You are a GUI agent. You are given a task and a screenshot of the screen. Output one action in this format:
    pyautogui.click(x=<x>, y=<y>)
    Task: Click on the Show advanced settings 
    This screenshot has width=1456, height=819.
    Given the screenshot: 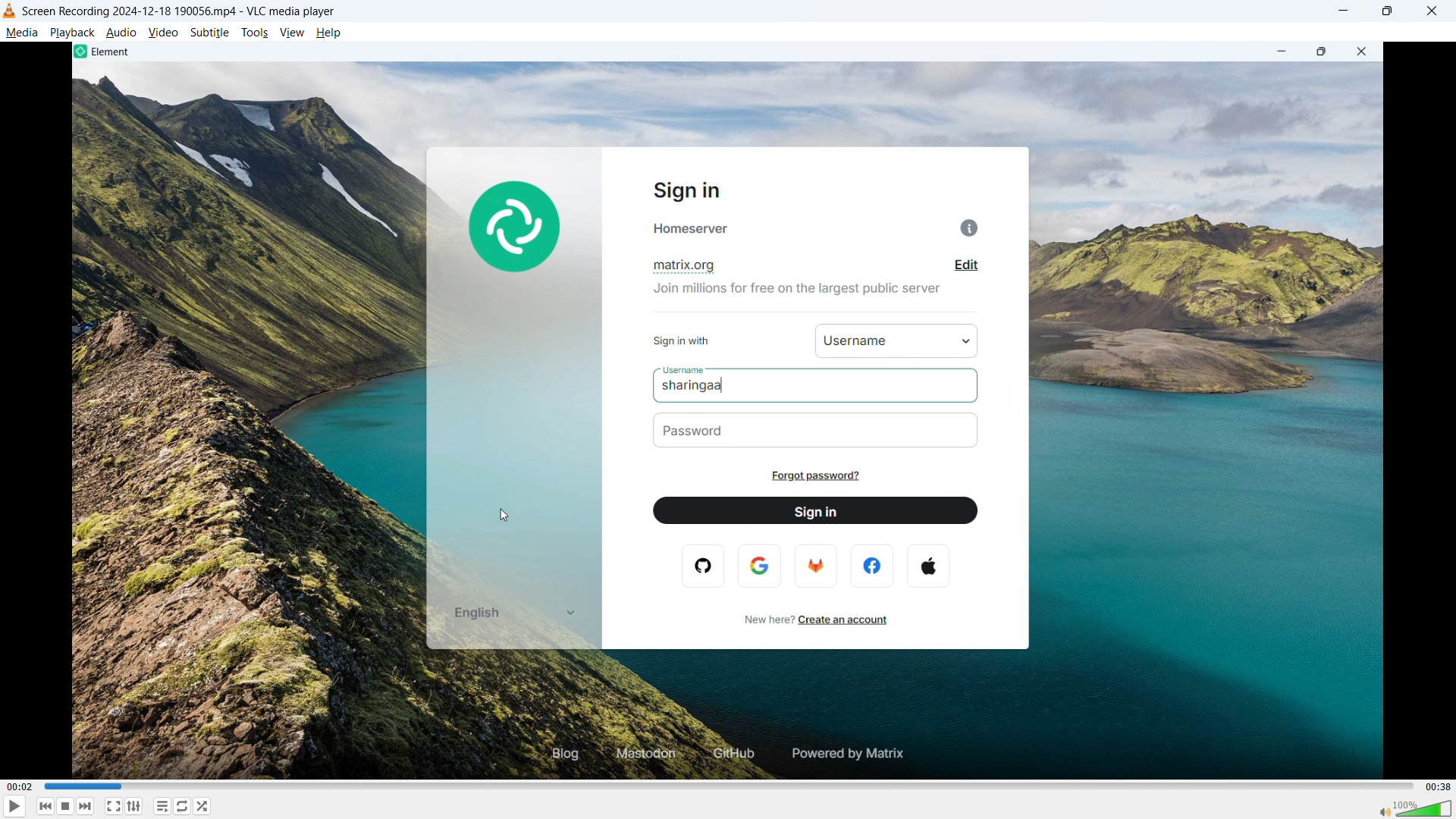 What is the action you would take?
    pyautogui.click(x=133, y=807)
    